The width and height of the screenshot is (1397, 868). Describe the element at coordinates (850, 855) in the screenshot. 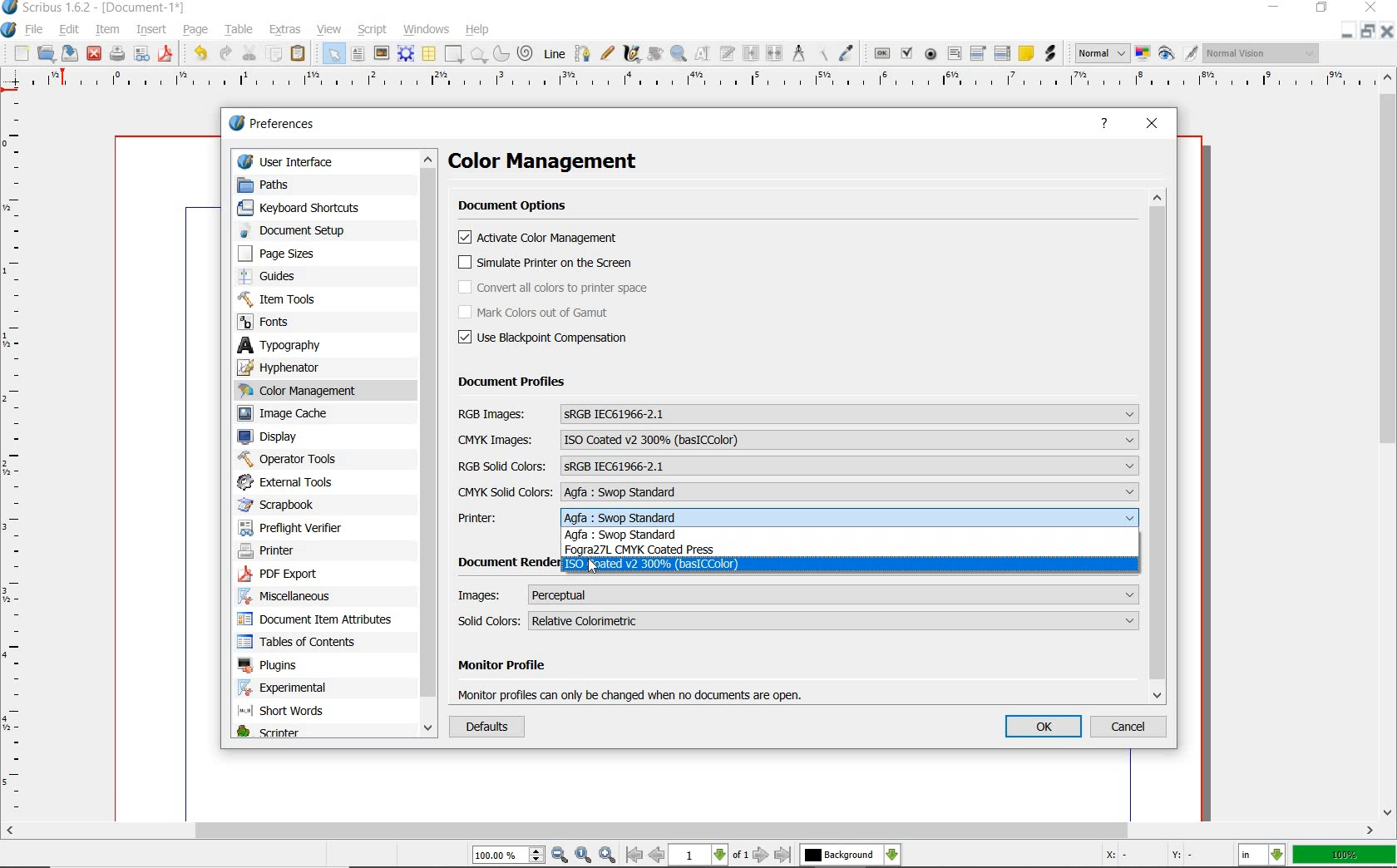

I see `select the current layer` at that location.